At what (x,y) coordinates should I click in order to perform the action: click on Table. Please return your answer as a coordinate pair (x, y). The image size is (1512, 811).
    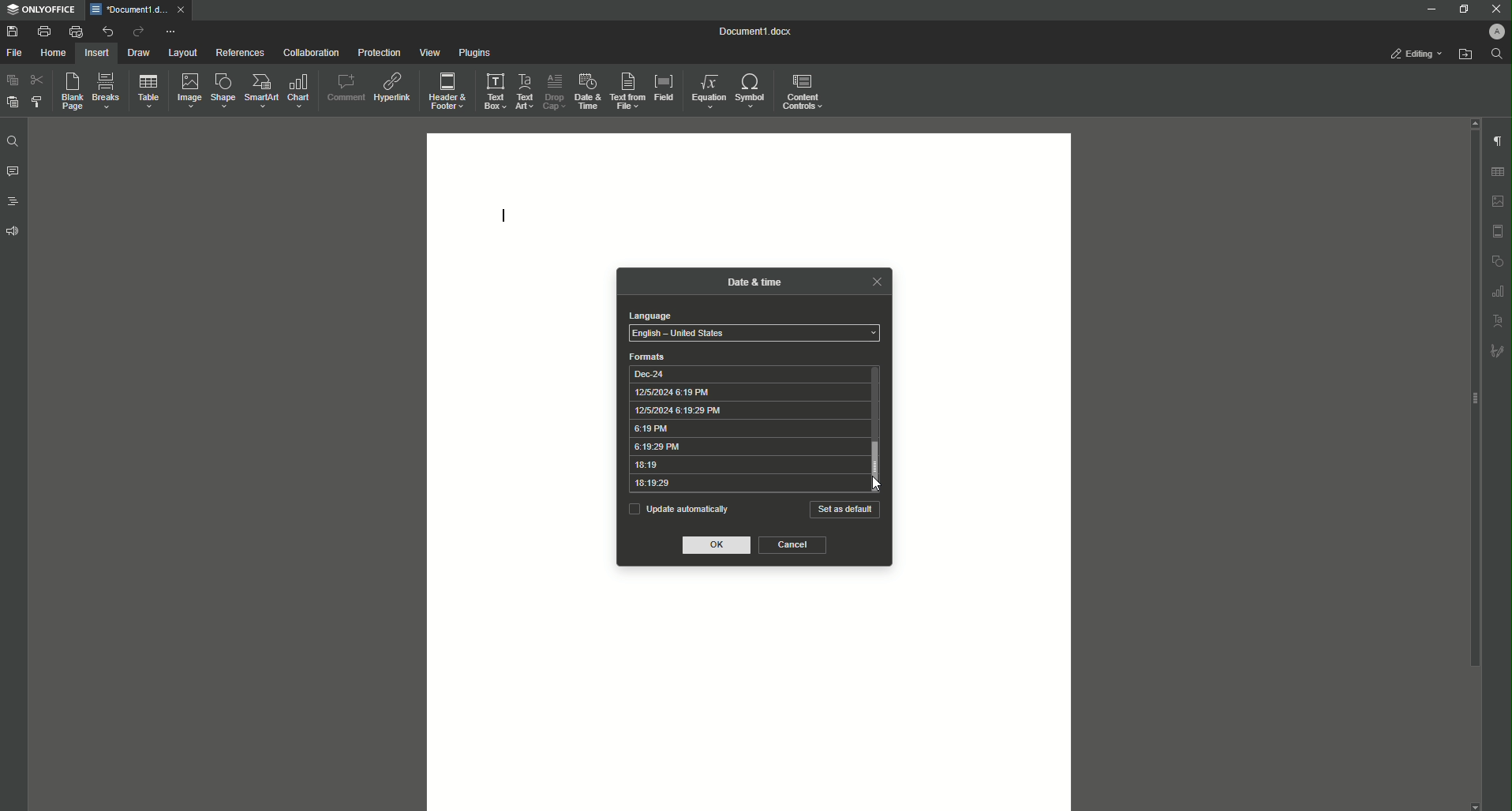
    Looking at the image, I should click on (145, 91).